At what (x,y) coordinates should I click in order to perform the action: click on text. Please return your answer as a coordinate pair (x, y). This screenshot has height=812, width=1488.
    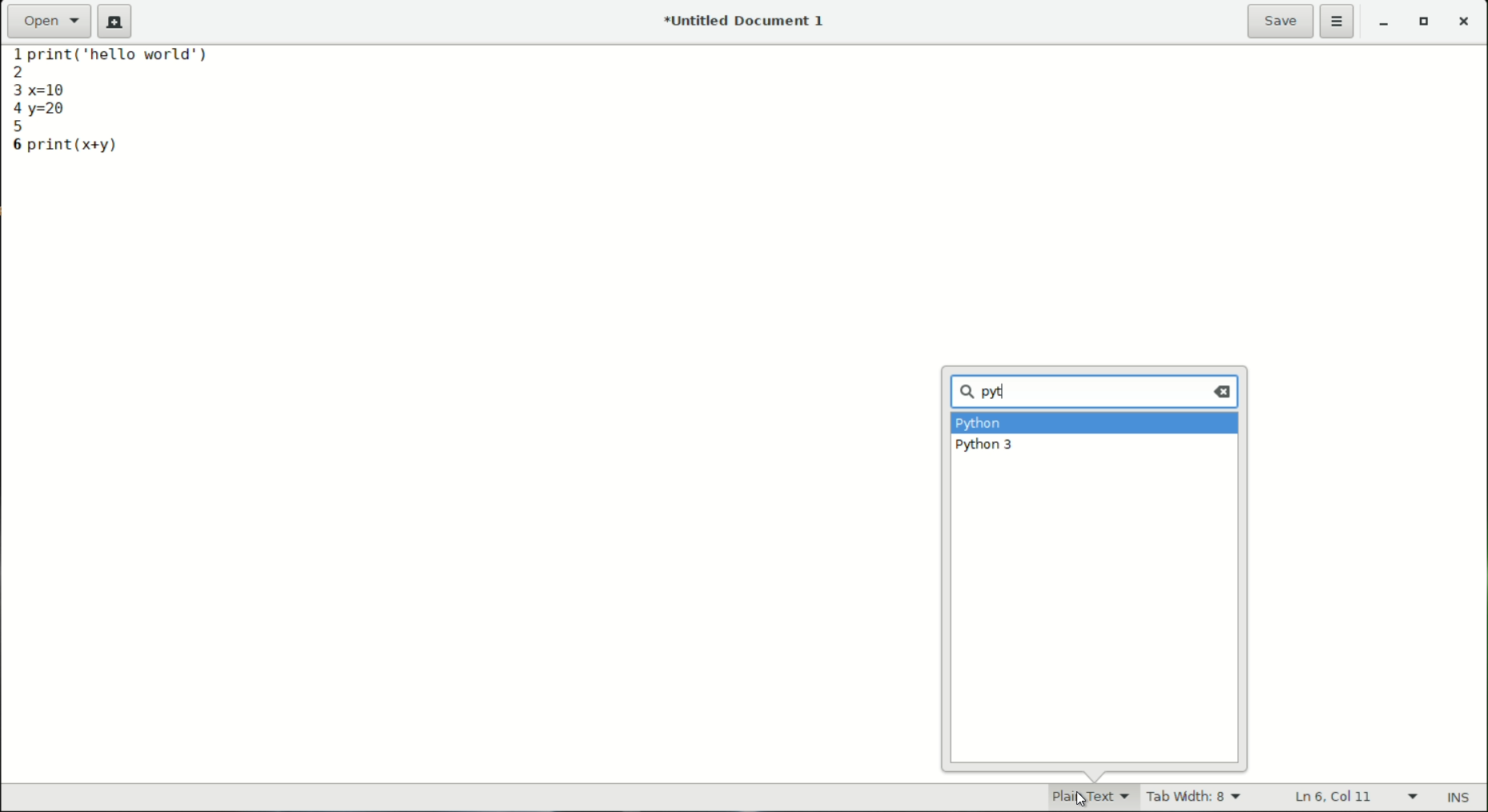
    Looking at the image, I should click on (131, 60).